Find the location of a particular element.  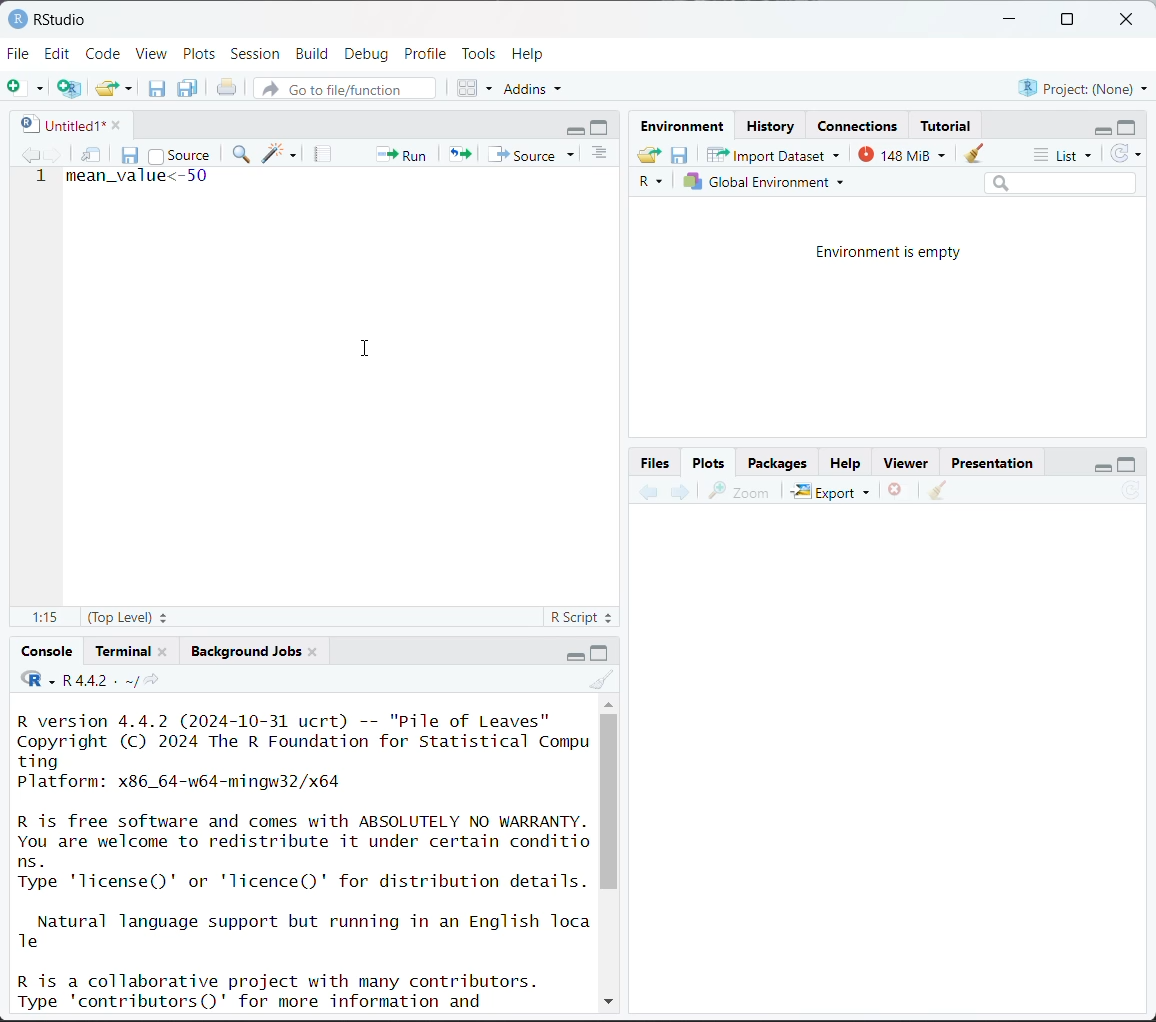

maximize is located at coordinates (1066, 20).